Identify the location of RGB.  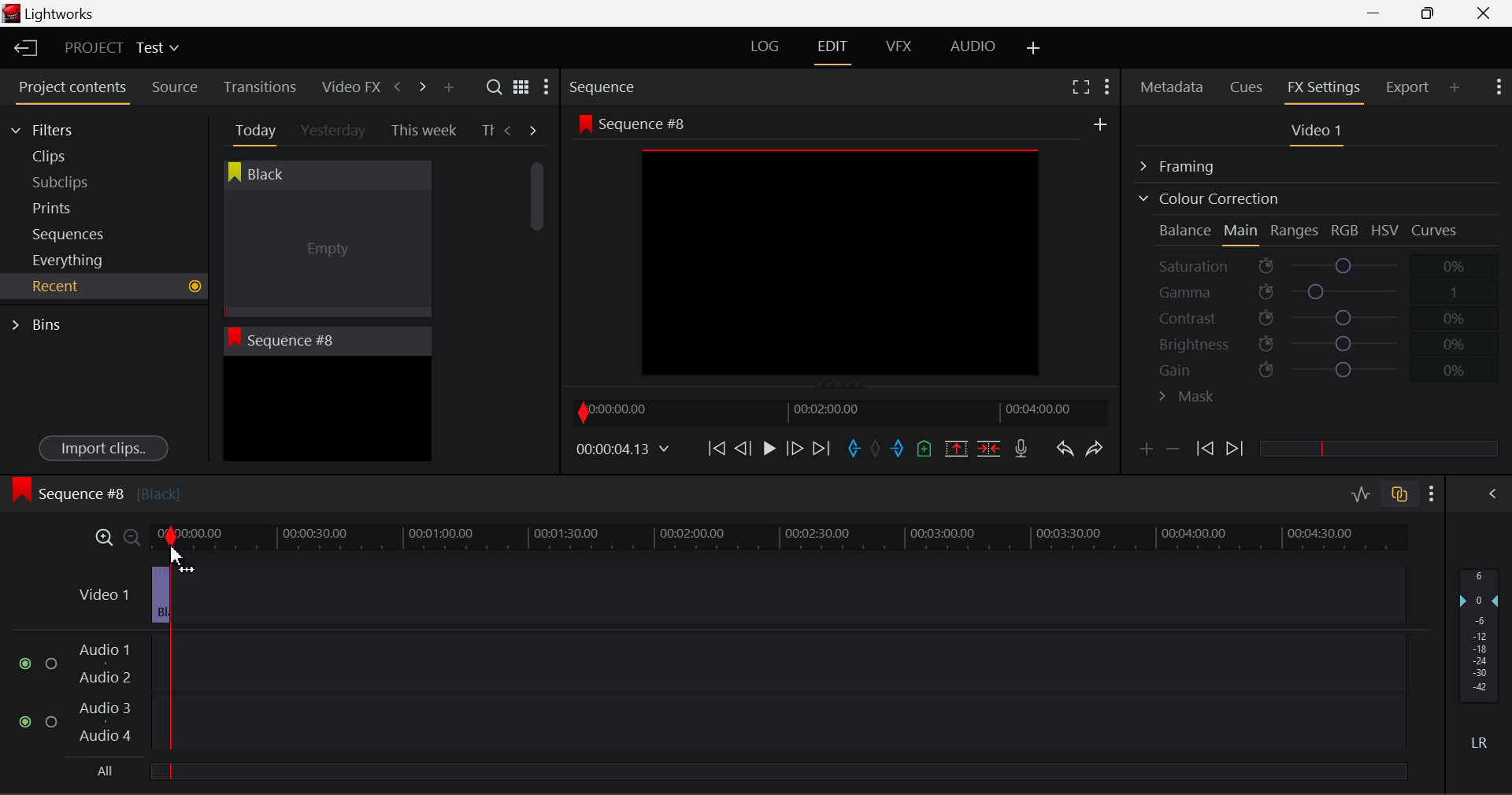
(1346, 231).